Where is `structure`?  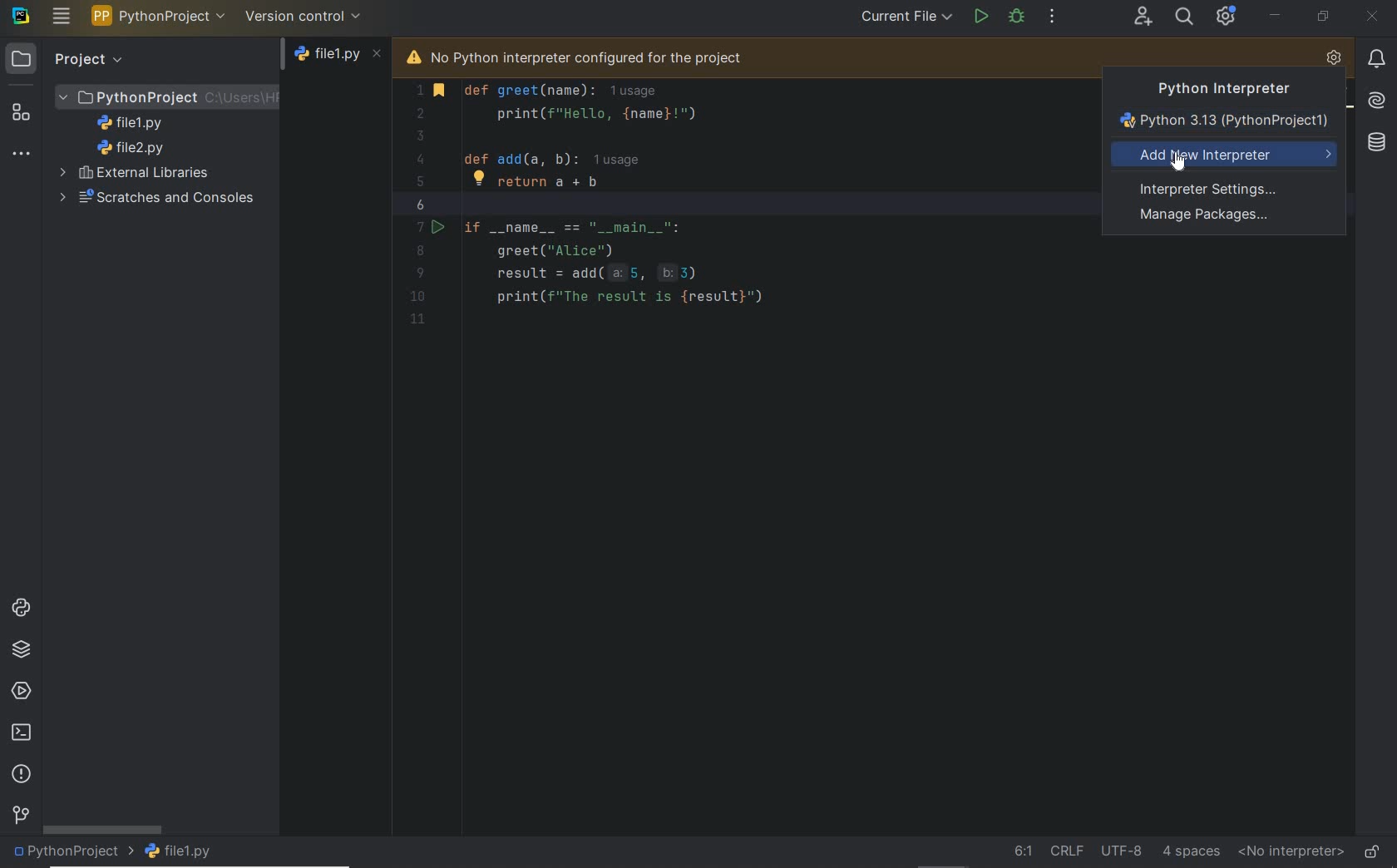
structure is located at coordinates (22, 112).